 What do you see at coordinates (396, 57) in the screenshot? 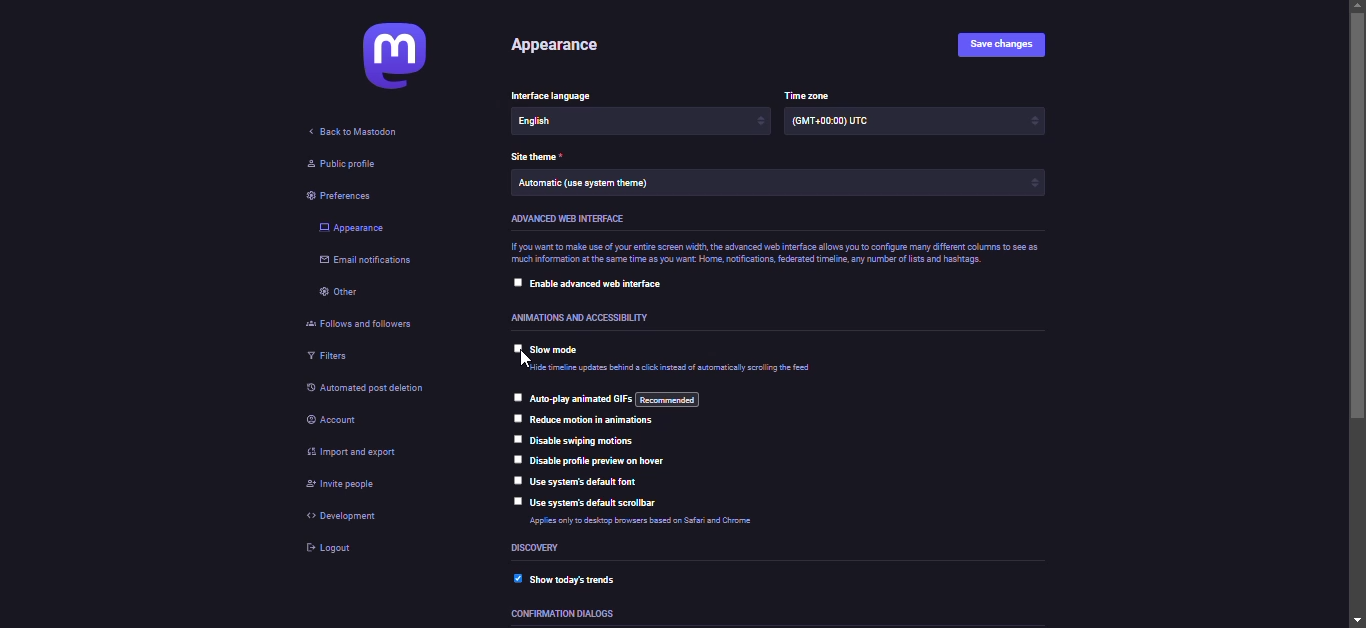
I see `mastodon` at bounding box center [396, 57].